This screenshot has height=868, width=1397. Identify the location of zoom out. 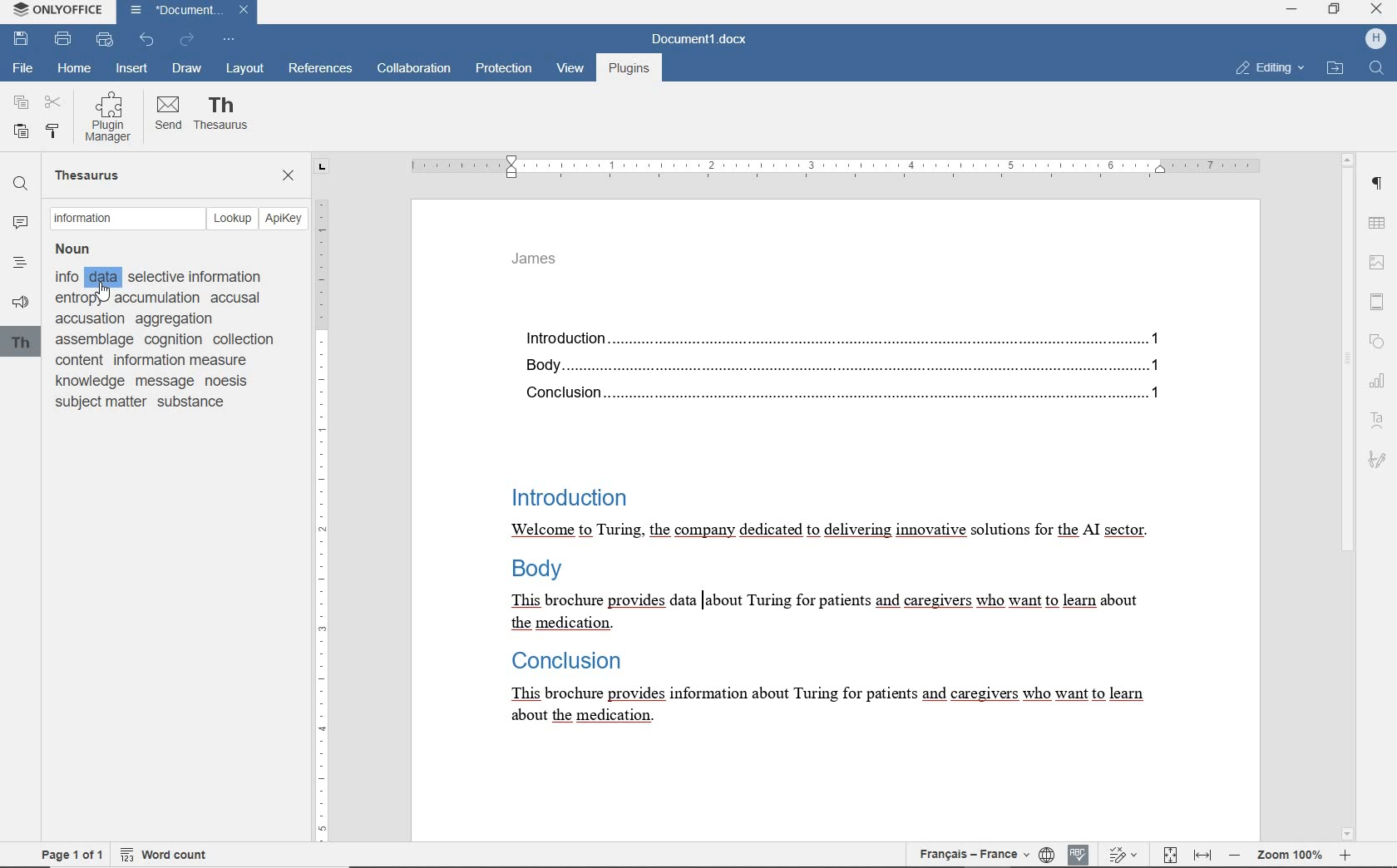
(1234, 857).